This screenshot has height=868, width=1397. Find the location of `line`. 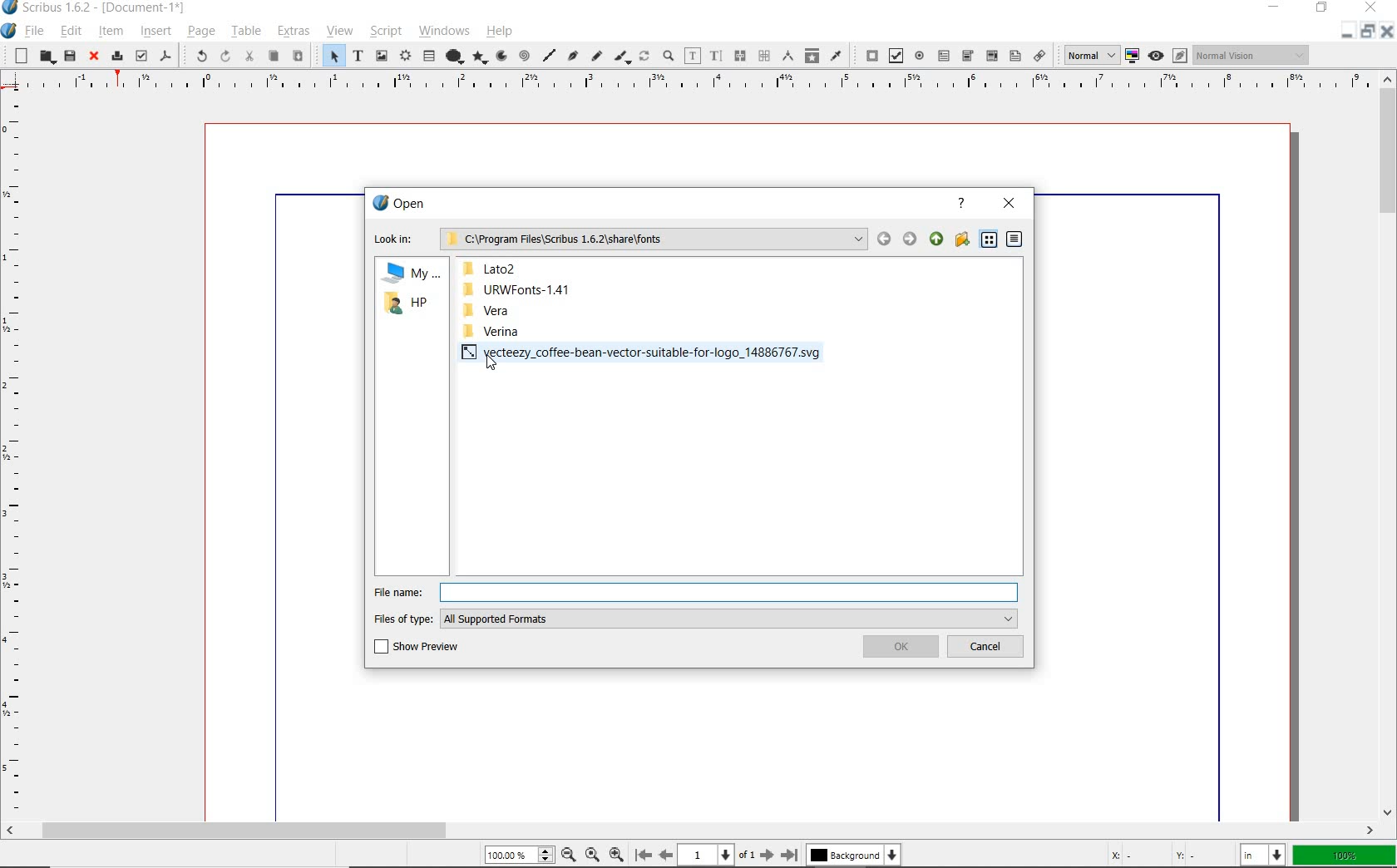

line is located at coordinates (548, 57).